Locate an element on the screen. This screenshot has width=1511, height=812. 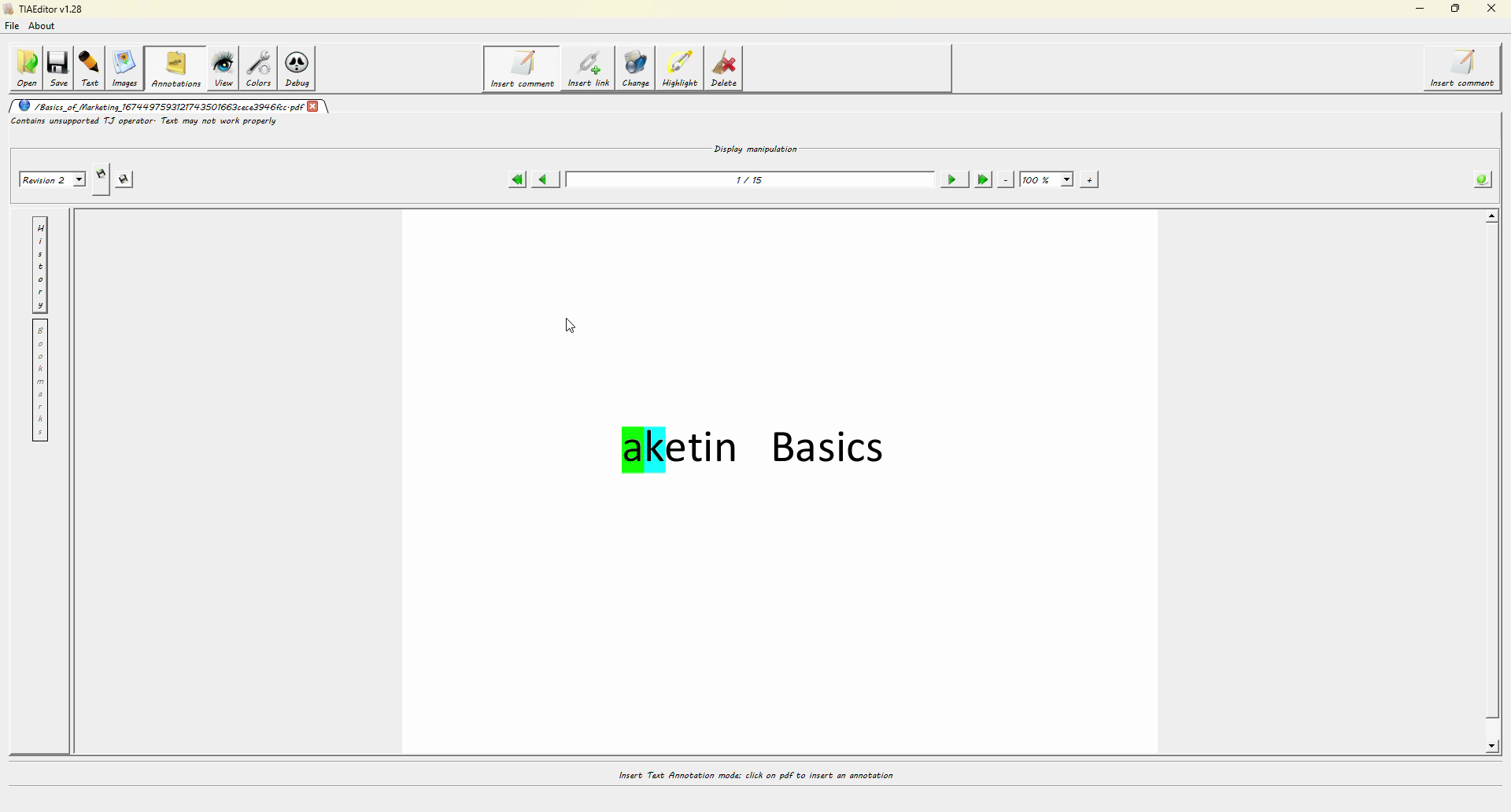
open is located at coordinates (26, 68).